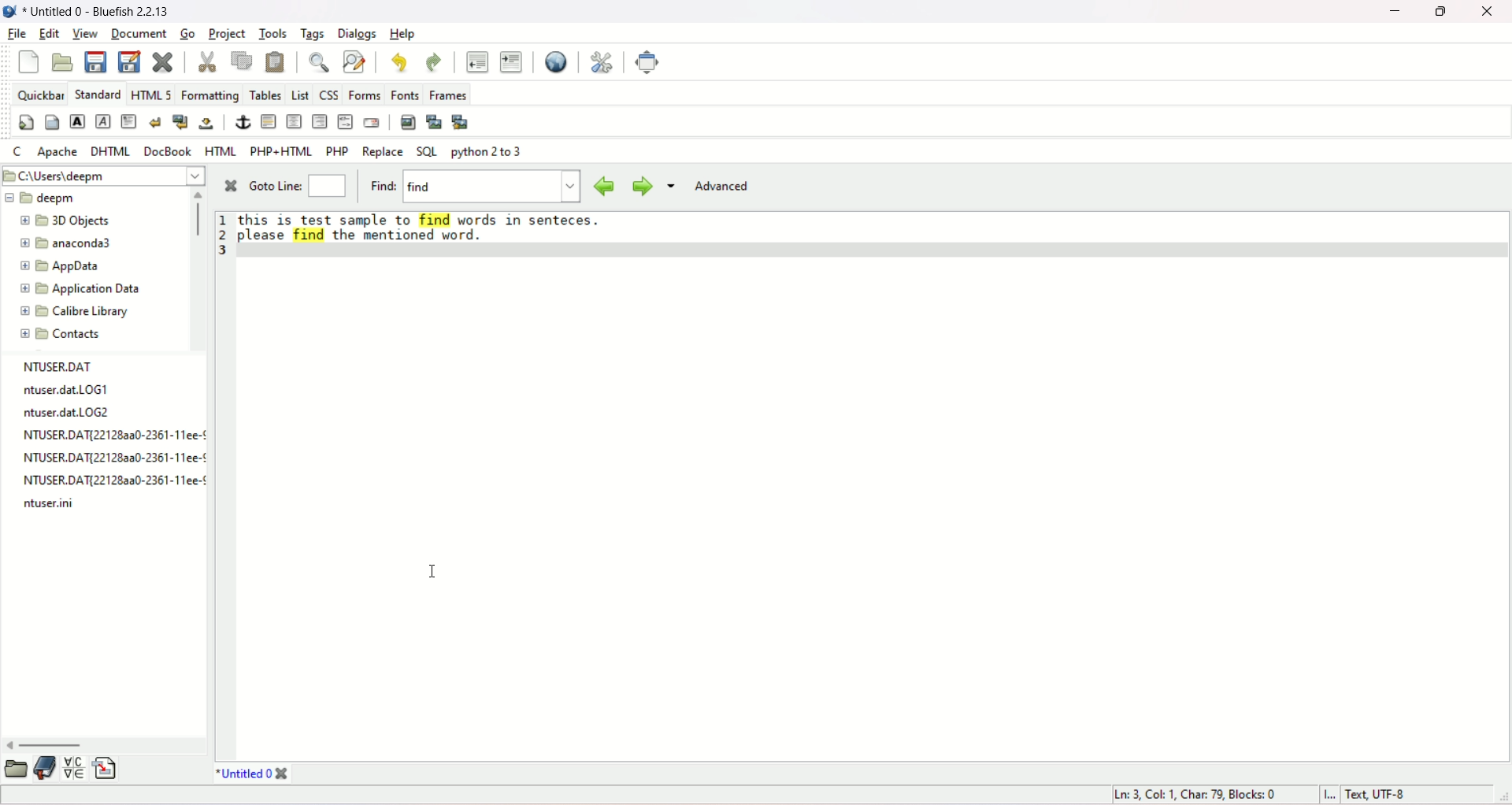 Image resolution: width=1512 pixels, height=805 pixels. What do you see at coordinates (57, 152) in the screenshot?
I see `Apache` at bounding box center [57, 152].